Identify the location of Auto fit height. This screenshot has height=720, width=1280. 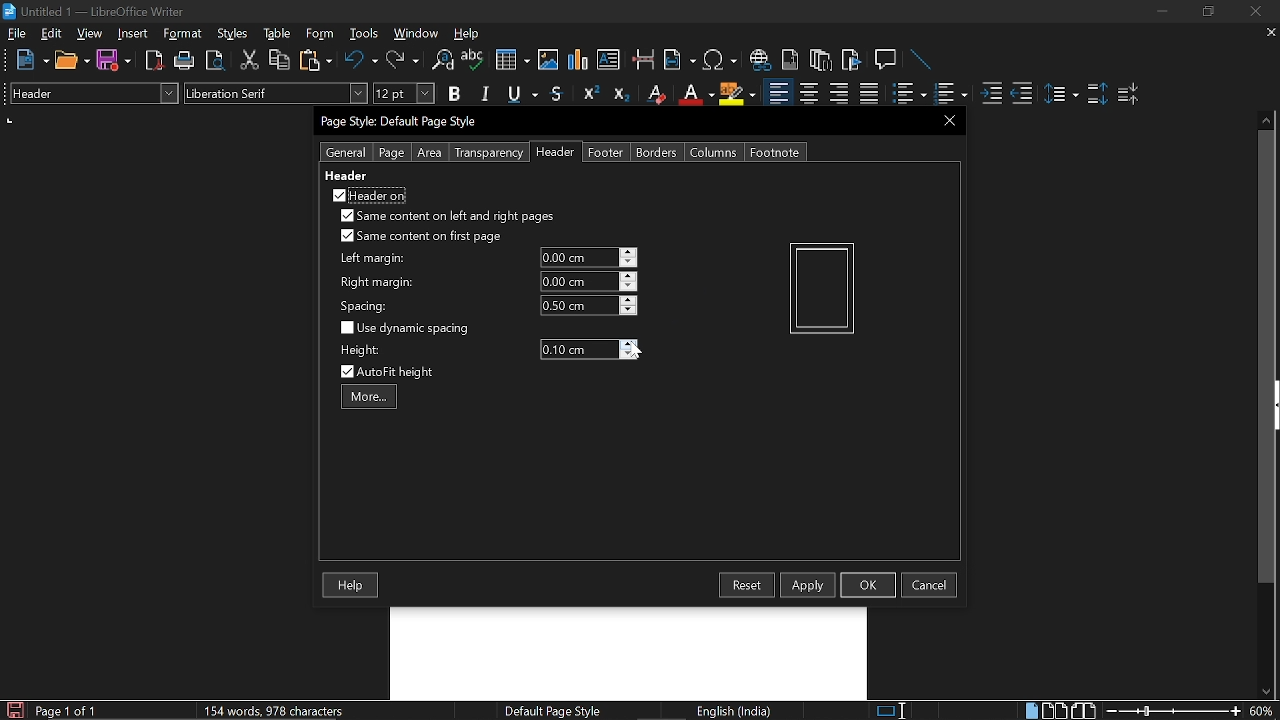
(400, 372).